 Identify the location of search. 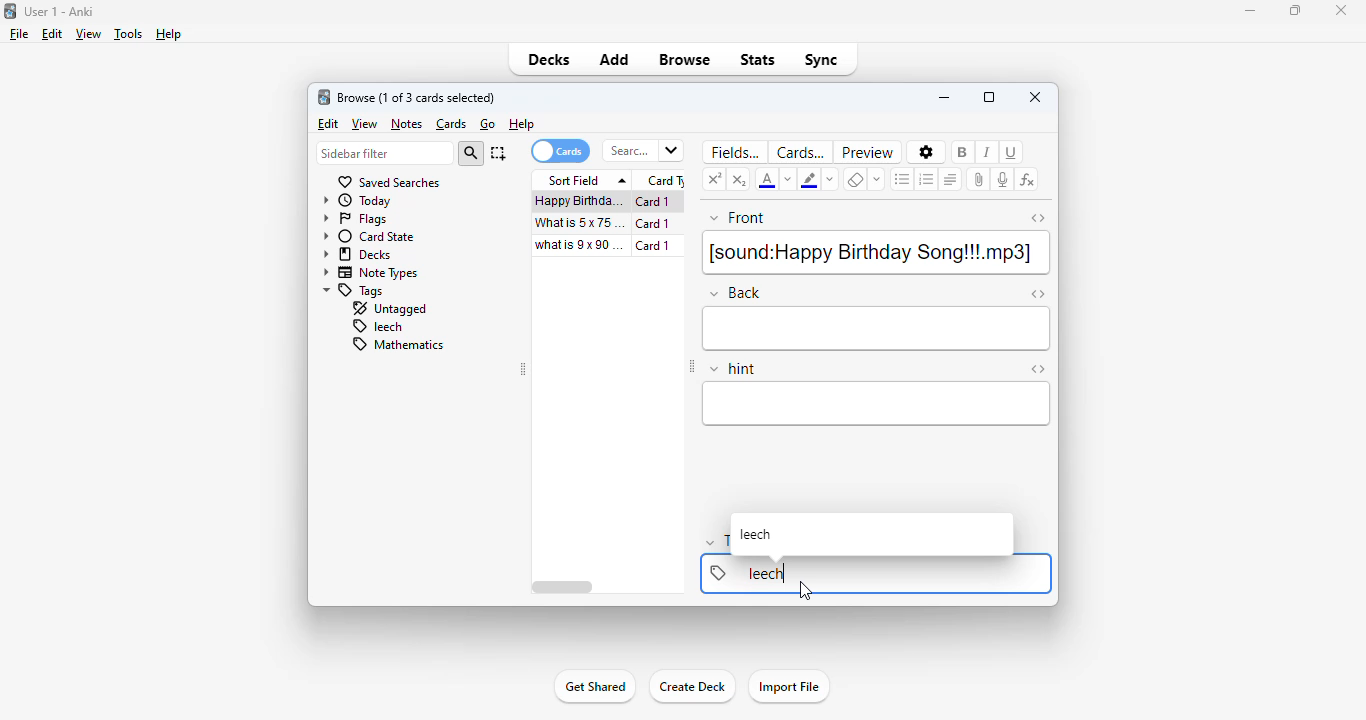
(471, 154).